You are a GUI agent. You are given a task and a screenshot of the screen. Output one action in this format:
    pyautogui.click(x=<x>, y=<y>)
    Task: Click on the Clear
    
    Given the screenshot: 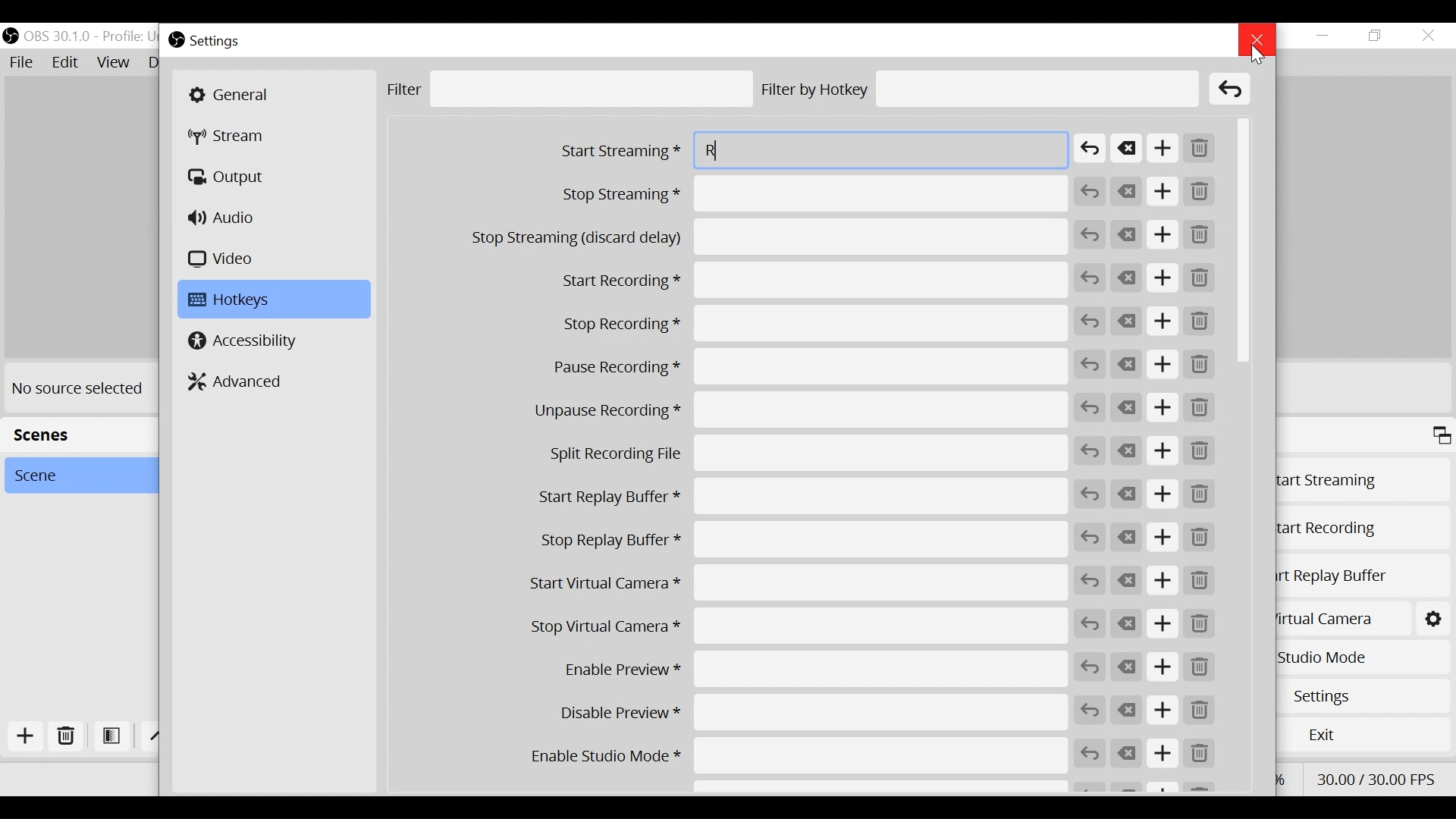 What is the action you would take?
    pyautogui.click(x=1129, y=580)
    